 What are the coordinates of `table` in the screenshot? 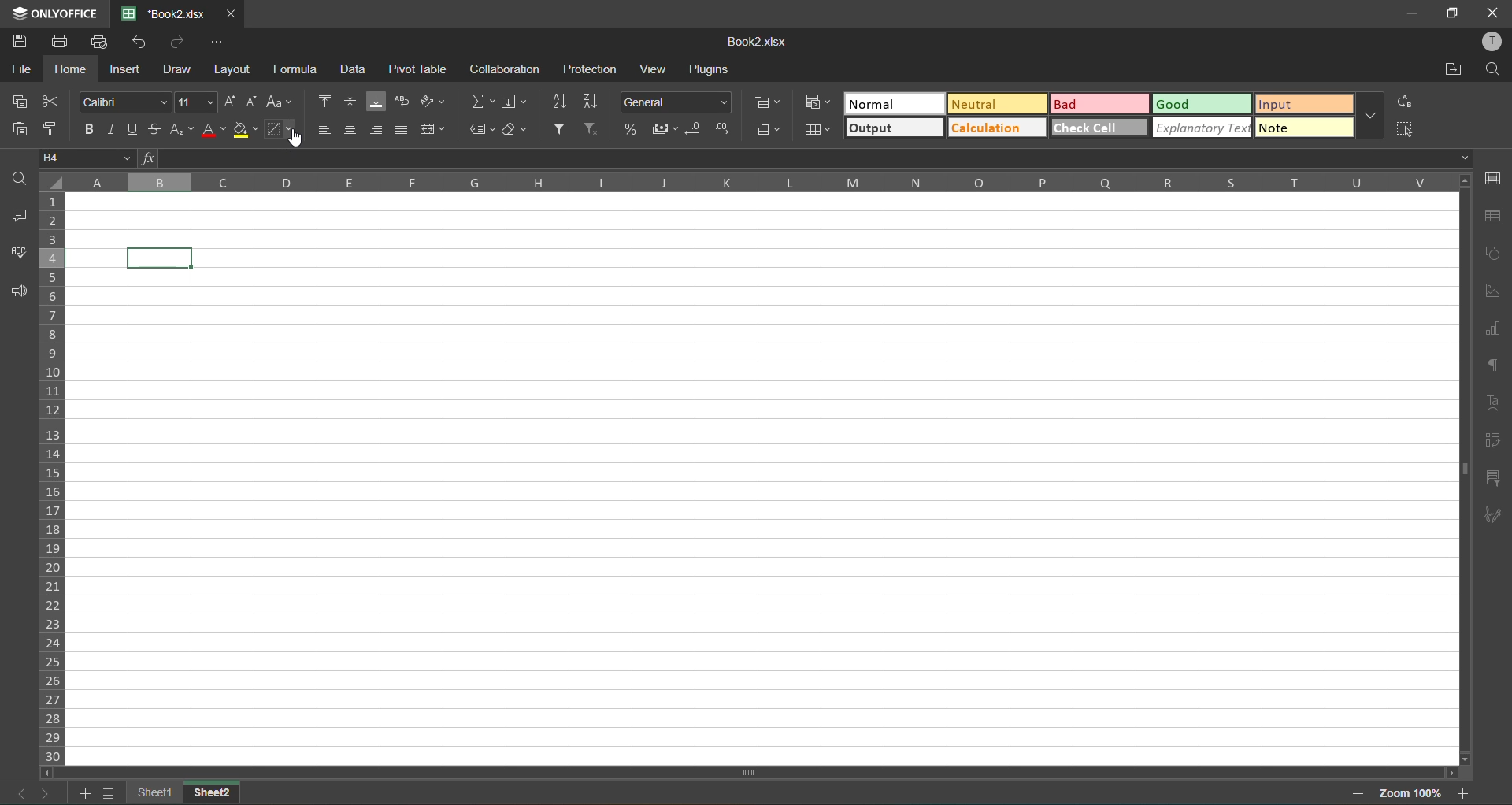 It's located at (1492, 217).